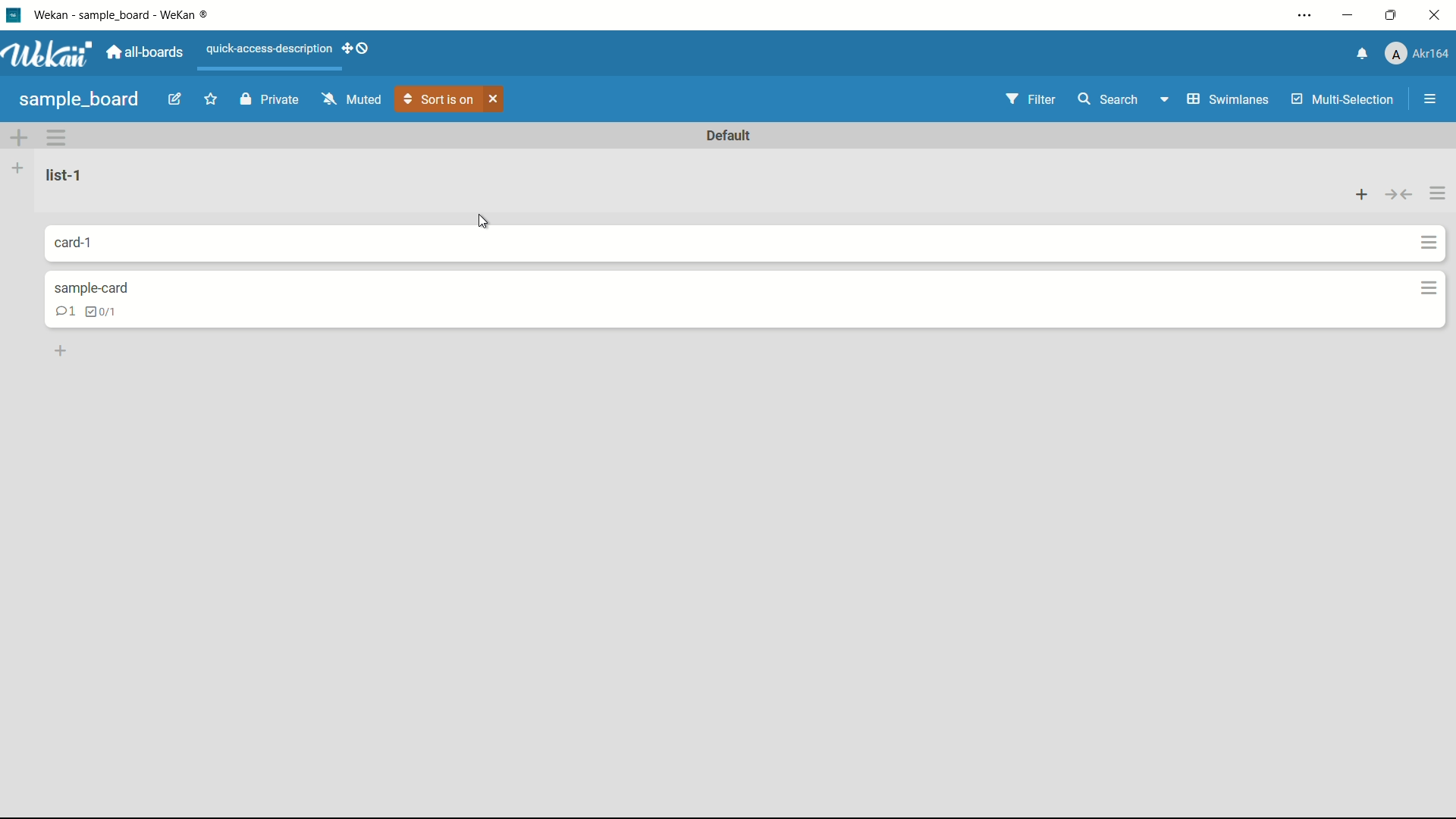 The image size is (1456, 819). Describe the element at coordinates (110, 311) in the screenshot. I see `checklist` at that location.